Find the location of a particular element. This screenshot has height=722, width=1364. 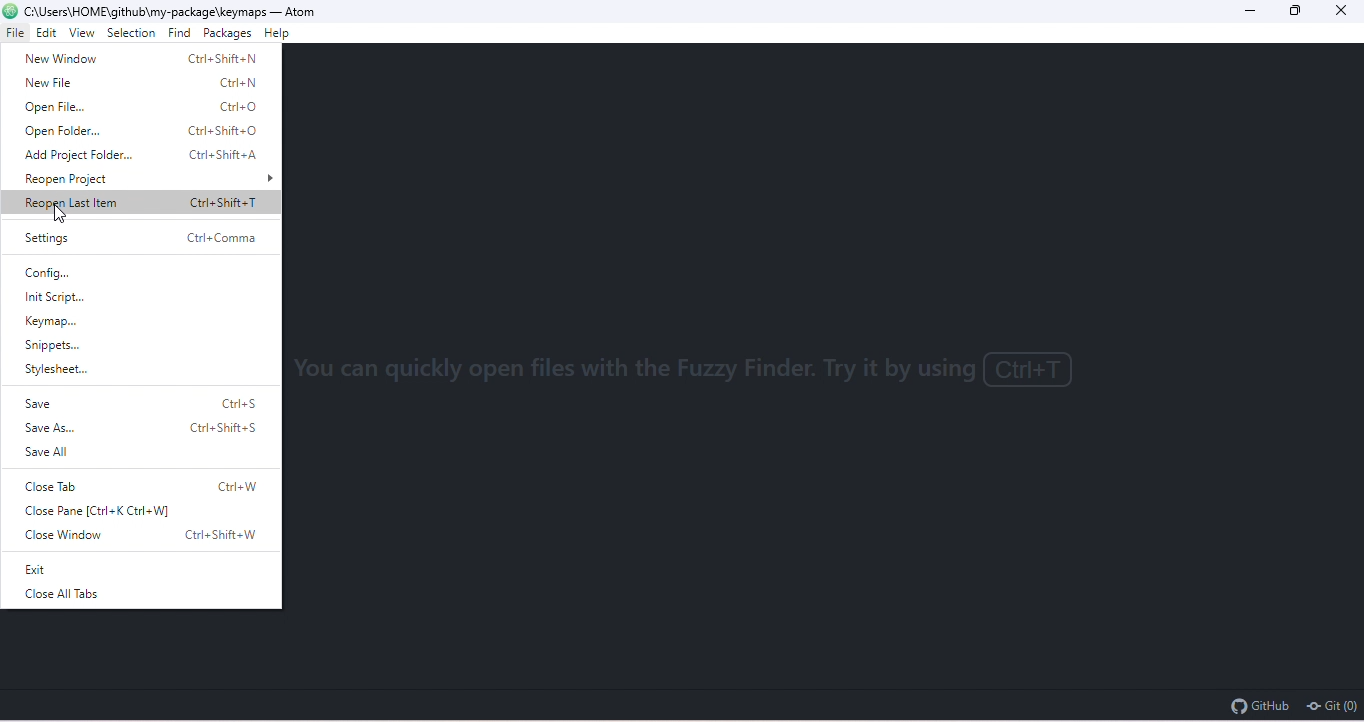

maximize is located at coordinates (1299, 14).